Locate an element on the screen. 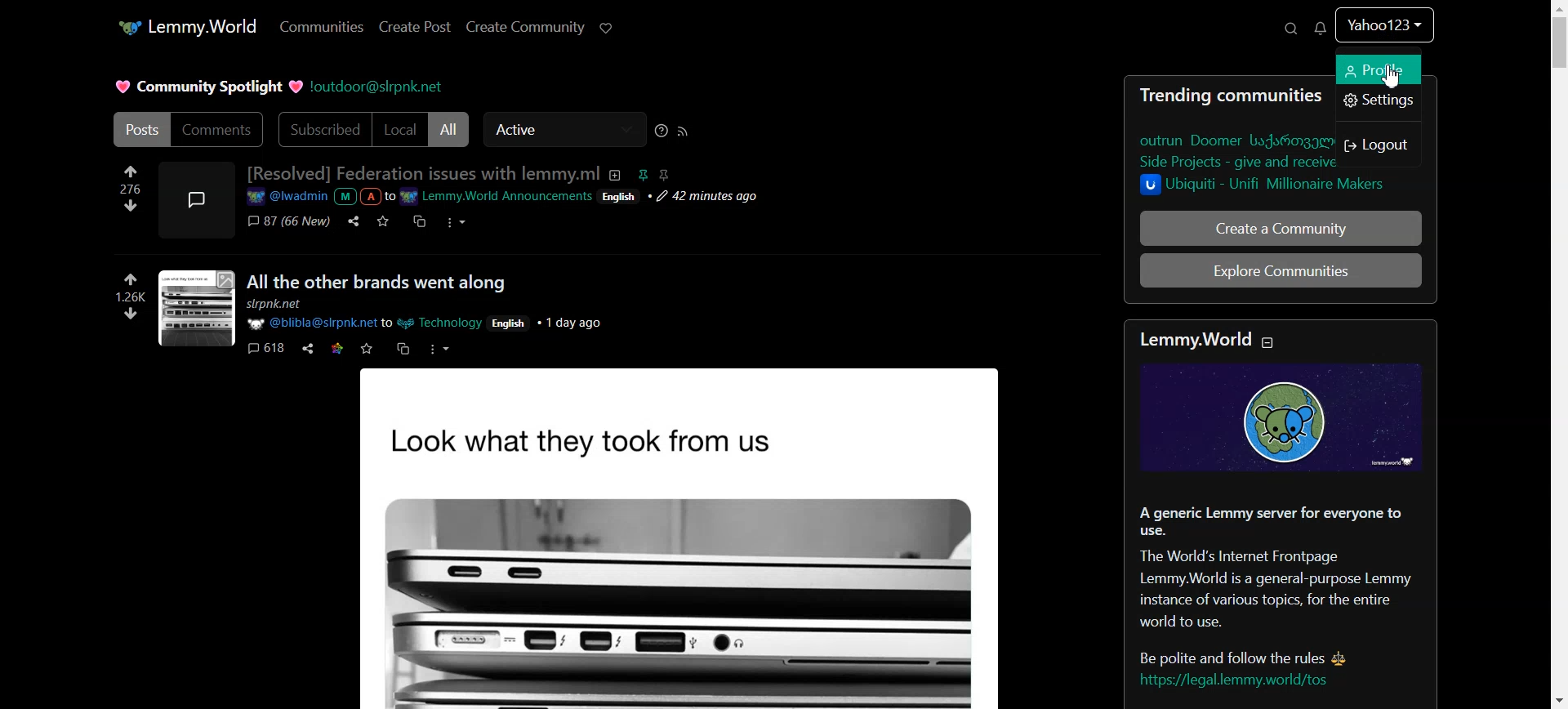 The height and width of the screenshot is (709, 1568). Home page is located at coordinates (187, 27).